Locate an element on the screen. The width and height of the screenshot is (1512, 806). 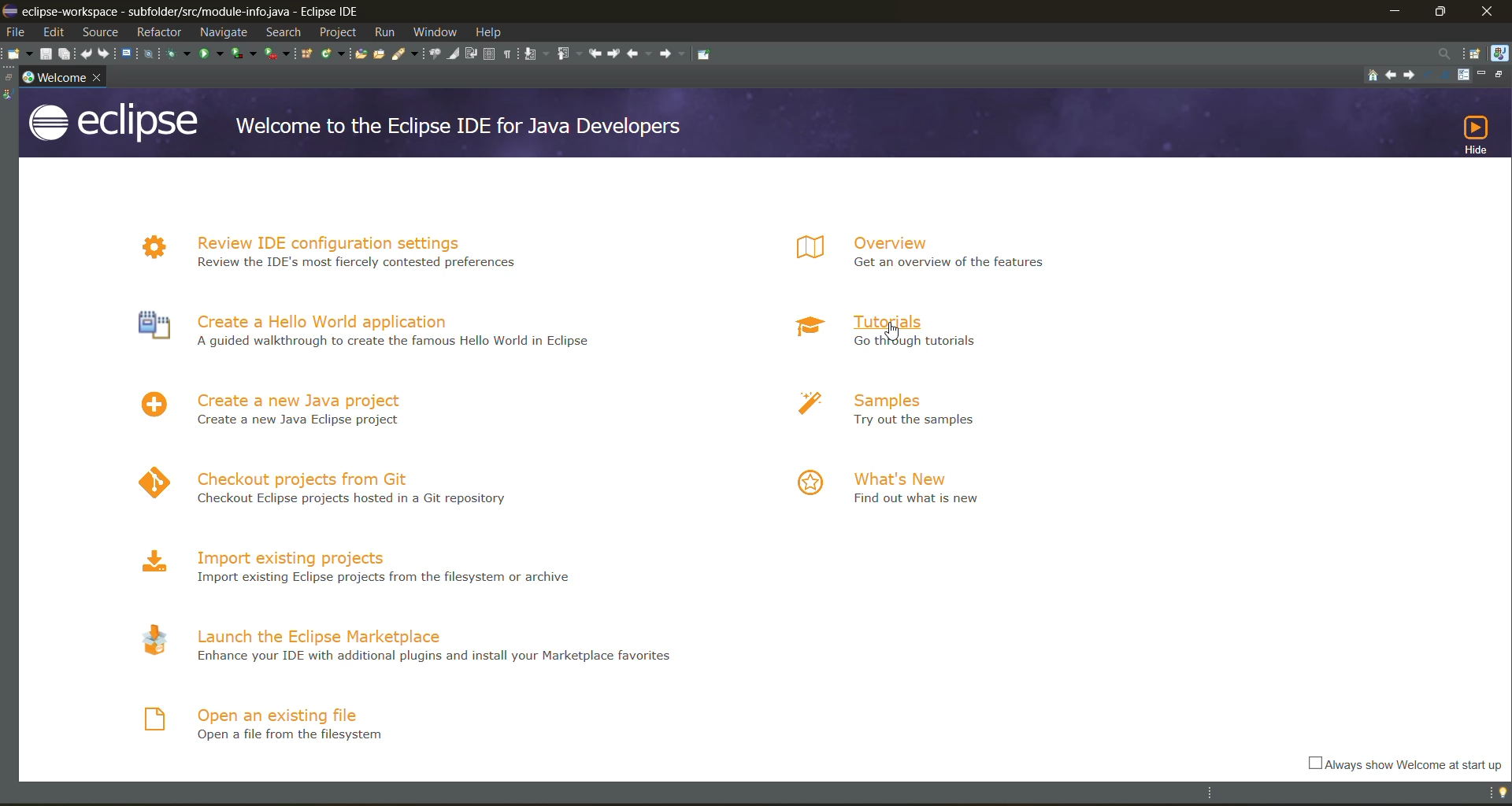
save all is located at coordinates (66, 54).